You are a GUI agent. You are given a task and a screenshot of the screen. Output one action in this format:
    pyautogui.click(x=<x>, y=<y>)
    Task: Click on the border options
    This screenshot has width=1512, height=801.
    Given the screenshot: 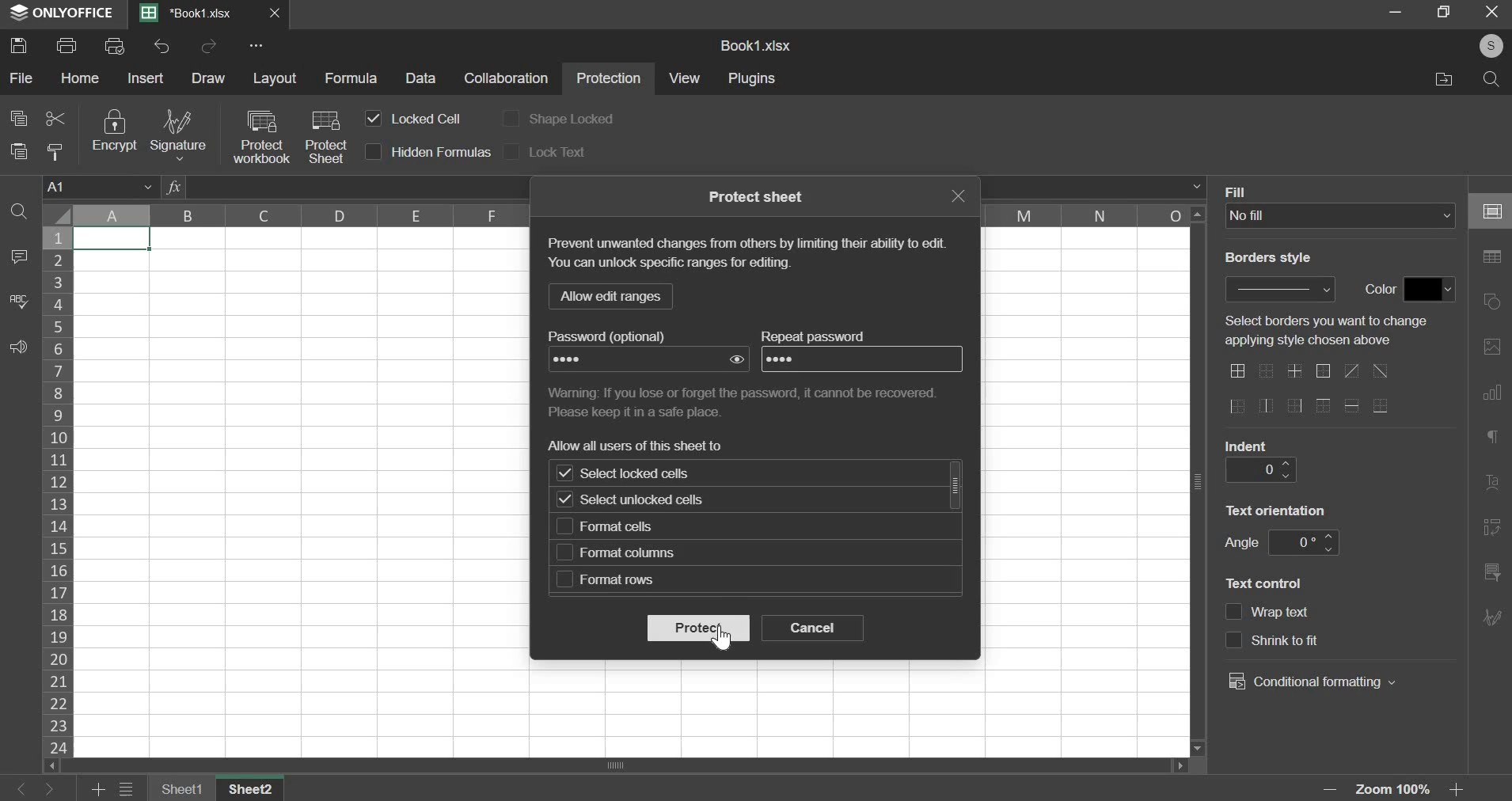 What is the action you would take?
    pyautogui.click(x=1354, y=405)
    